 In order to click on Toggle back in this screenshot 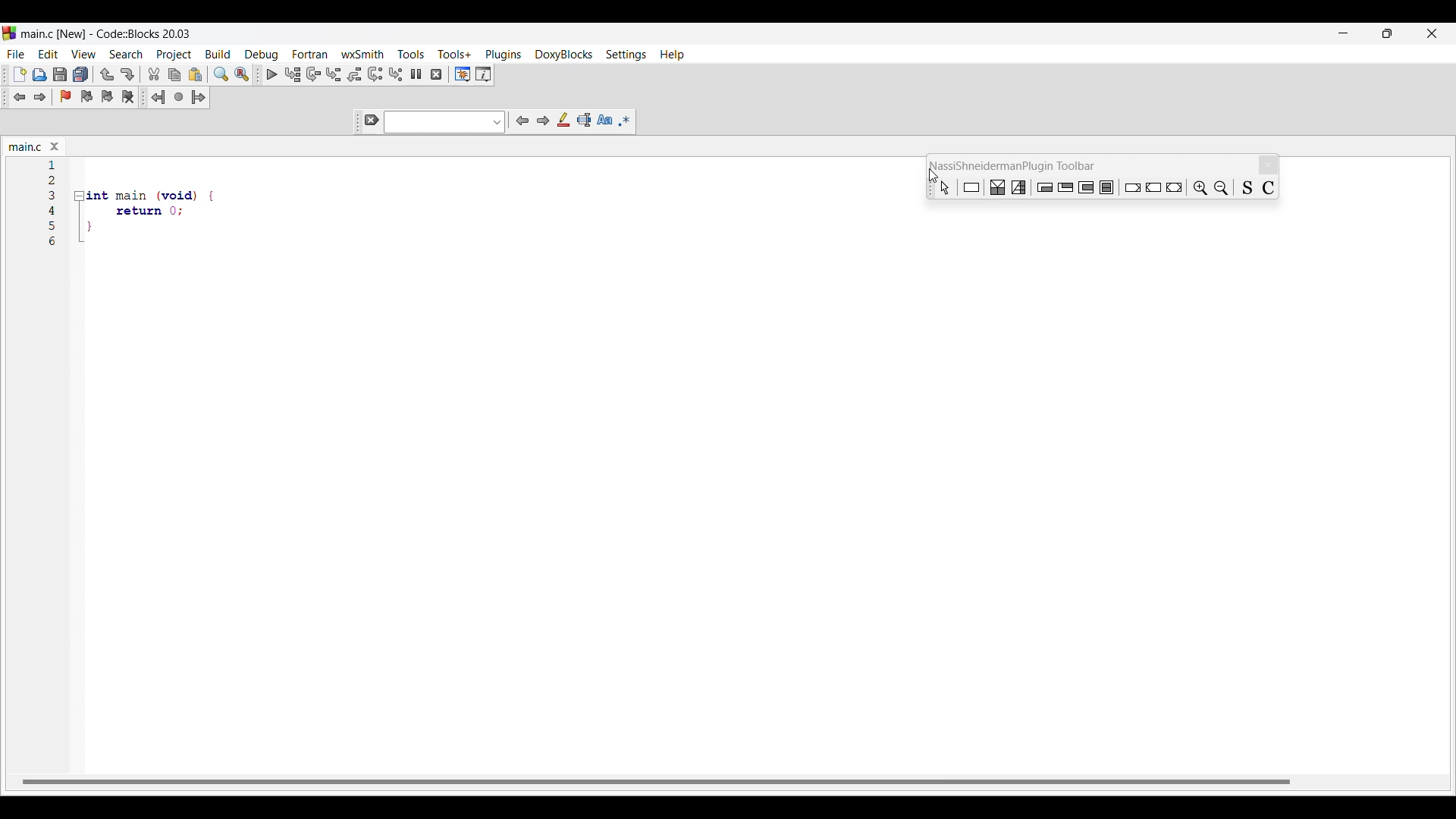, I will do `click(20, 97)`.